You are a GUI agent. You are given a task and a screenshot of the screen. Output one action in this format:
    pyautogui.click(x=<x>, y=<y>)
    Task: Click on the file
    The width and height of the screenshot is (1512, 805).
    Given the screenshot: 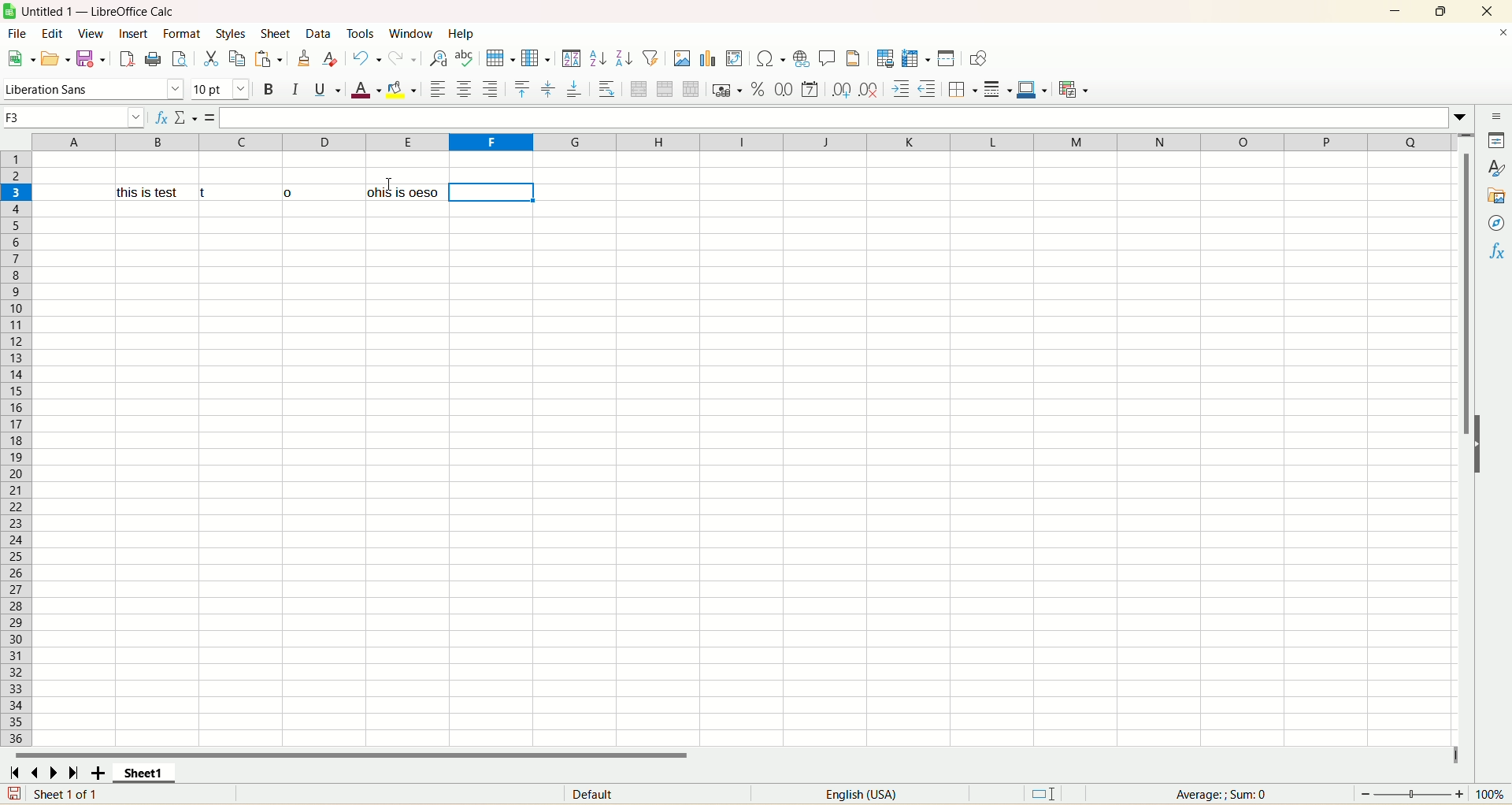 What is the action you would take?
    pyautogui.click(x=20, y=35)
    